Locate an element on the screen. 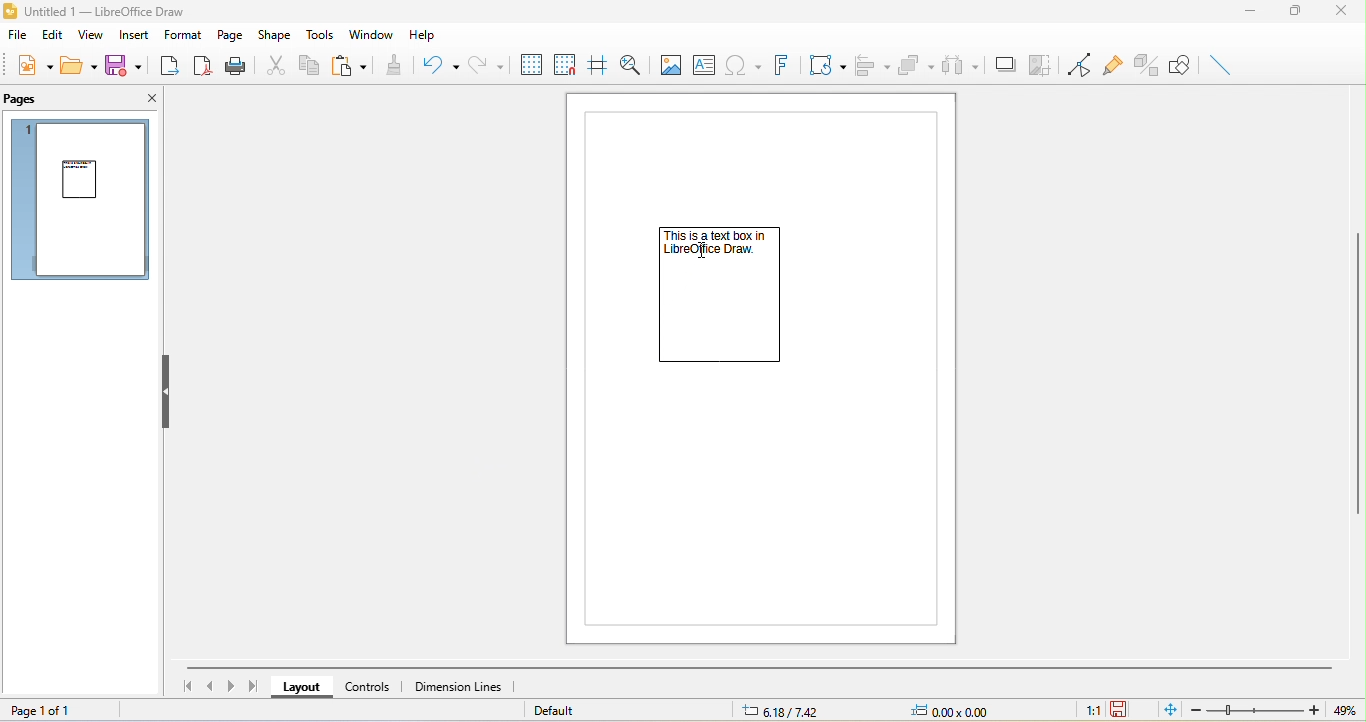 The width and height of the screenshot is (1366, 722). gluepoint function is located at coordinates (1115, 63).